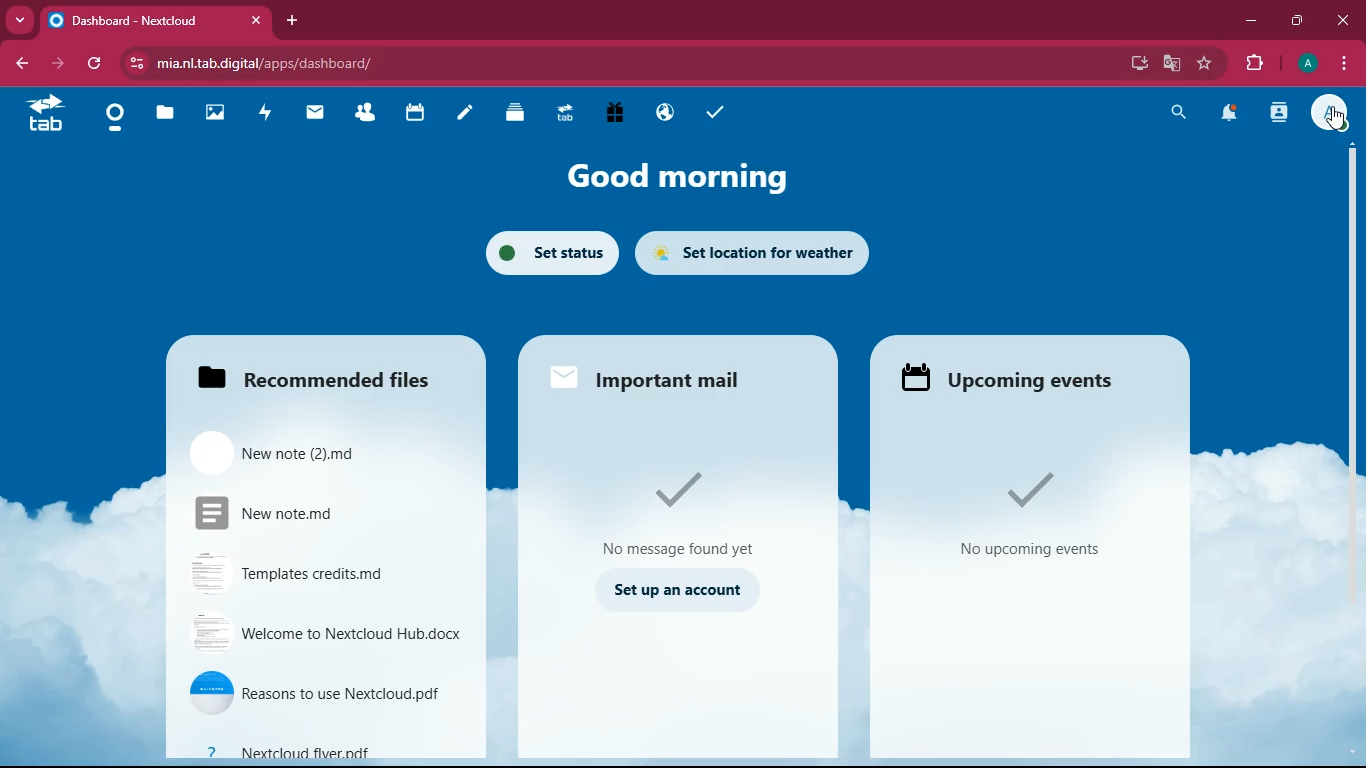 The image size is (1366, 768). I want to click on menu, so click(1342, 66).